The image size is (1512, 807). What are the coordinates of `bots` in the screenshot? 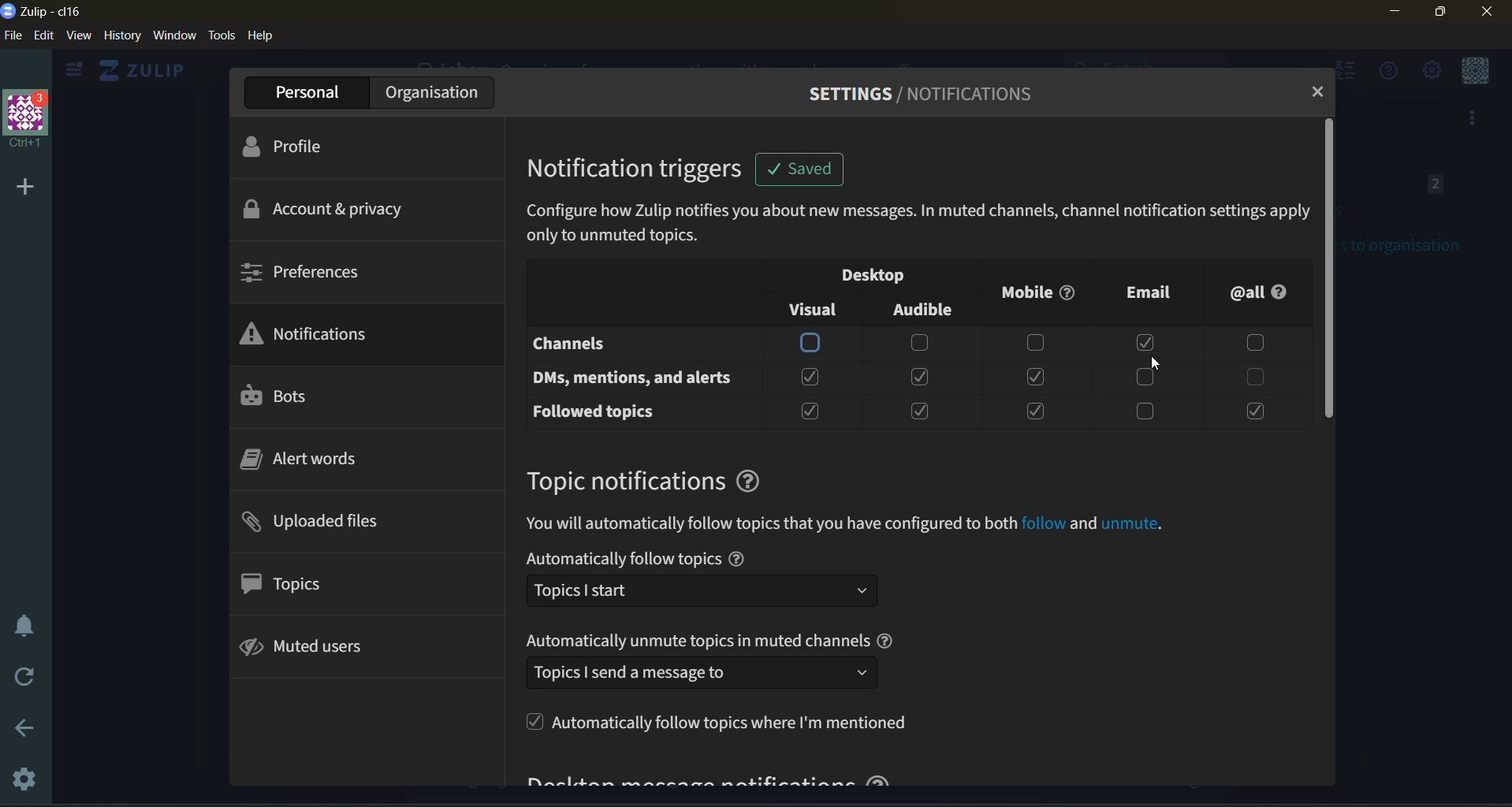 It's located at (281, 396).